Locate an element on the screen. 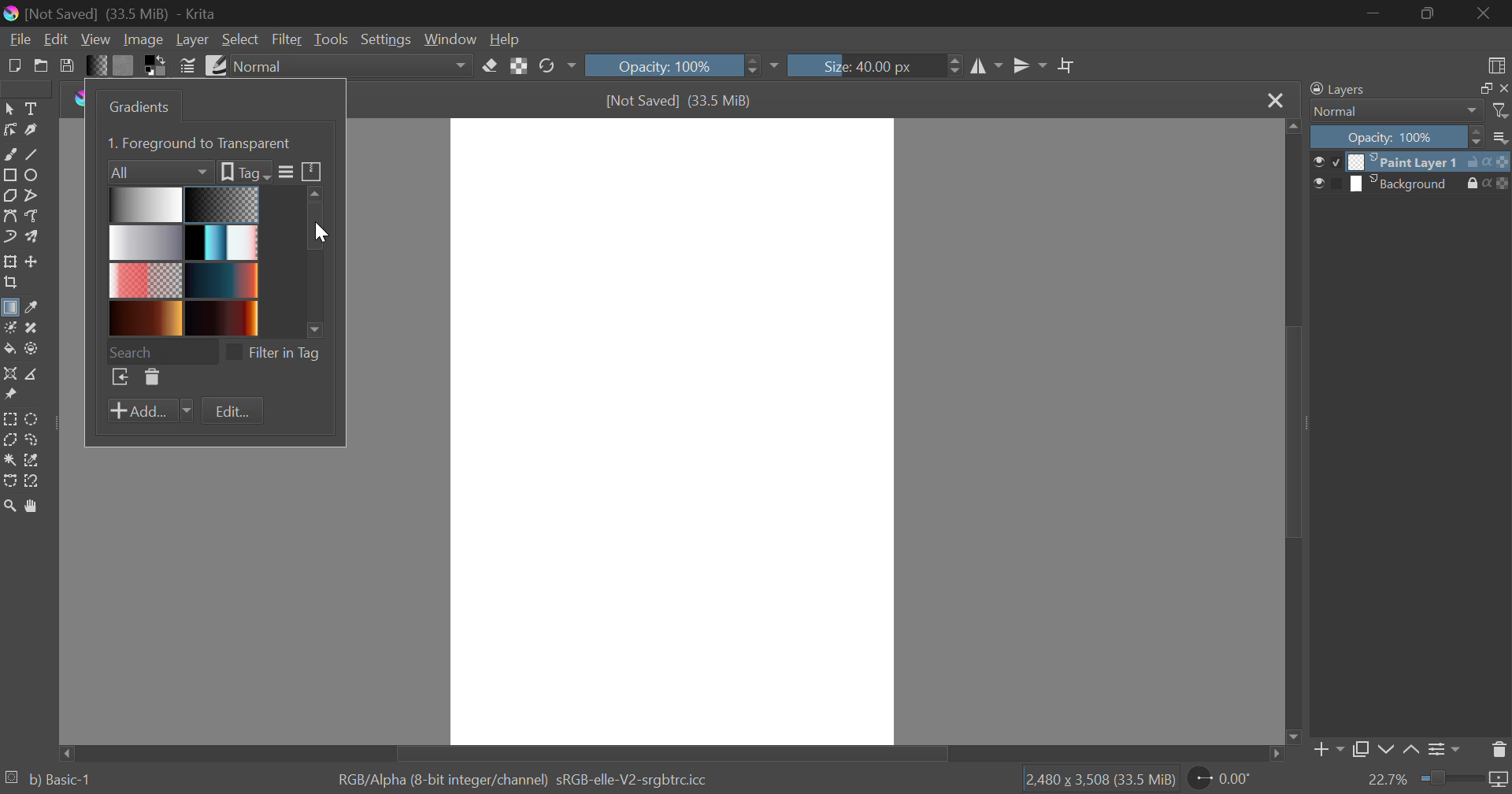 This screenshot has width=1512, height=794. RGB/Alpha (8-bit integer/channel) sRGB-elle-V2-srgbtrc.icc is located at coordinates (528, 777).